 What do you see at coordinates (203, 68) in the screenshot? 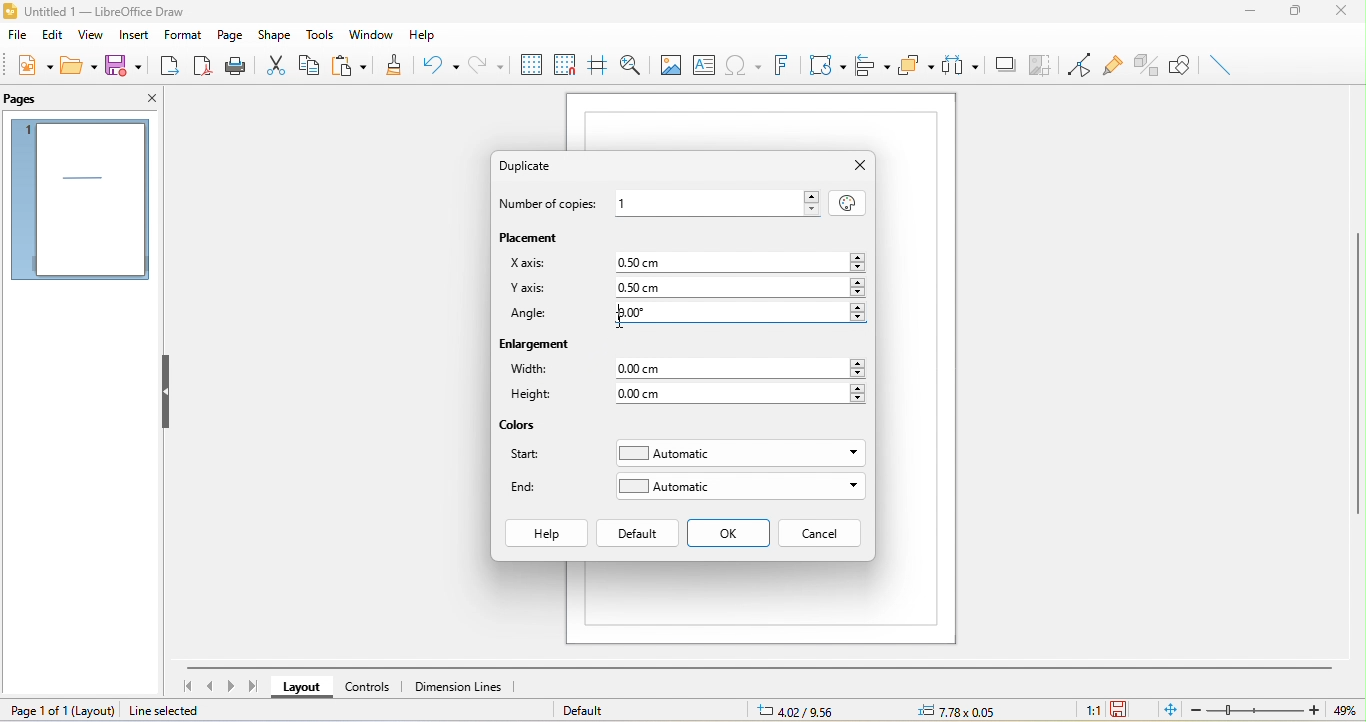
I see `export directly a pdf` at bounding box center [203, 68].